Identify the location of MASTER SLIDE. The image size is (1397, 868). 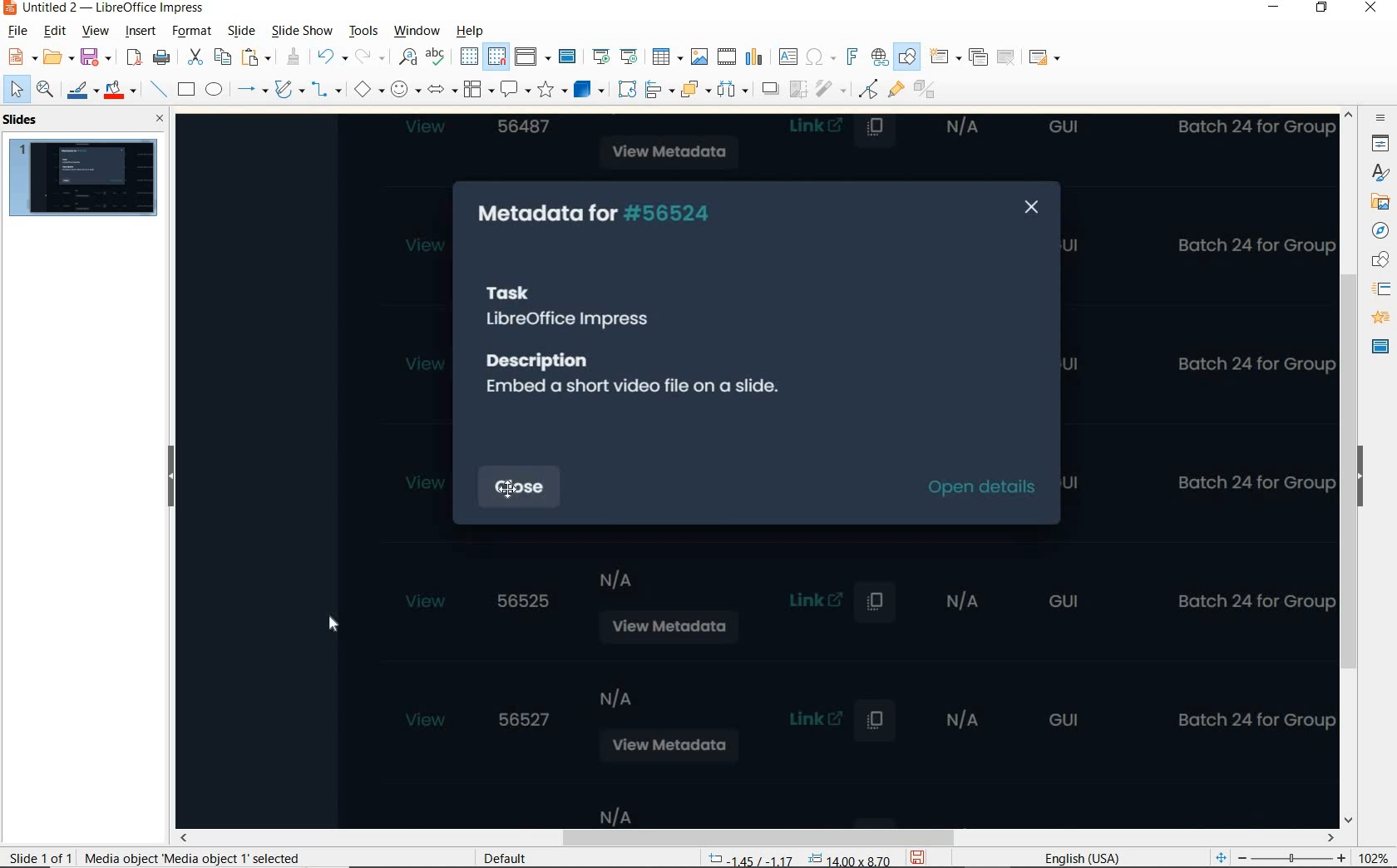
(570, 57).